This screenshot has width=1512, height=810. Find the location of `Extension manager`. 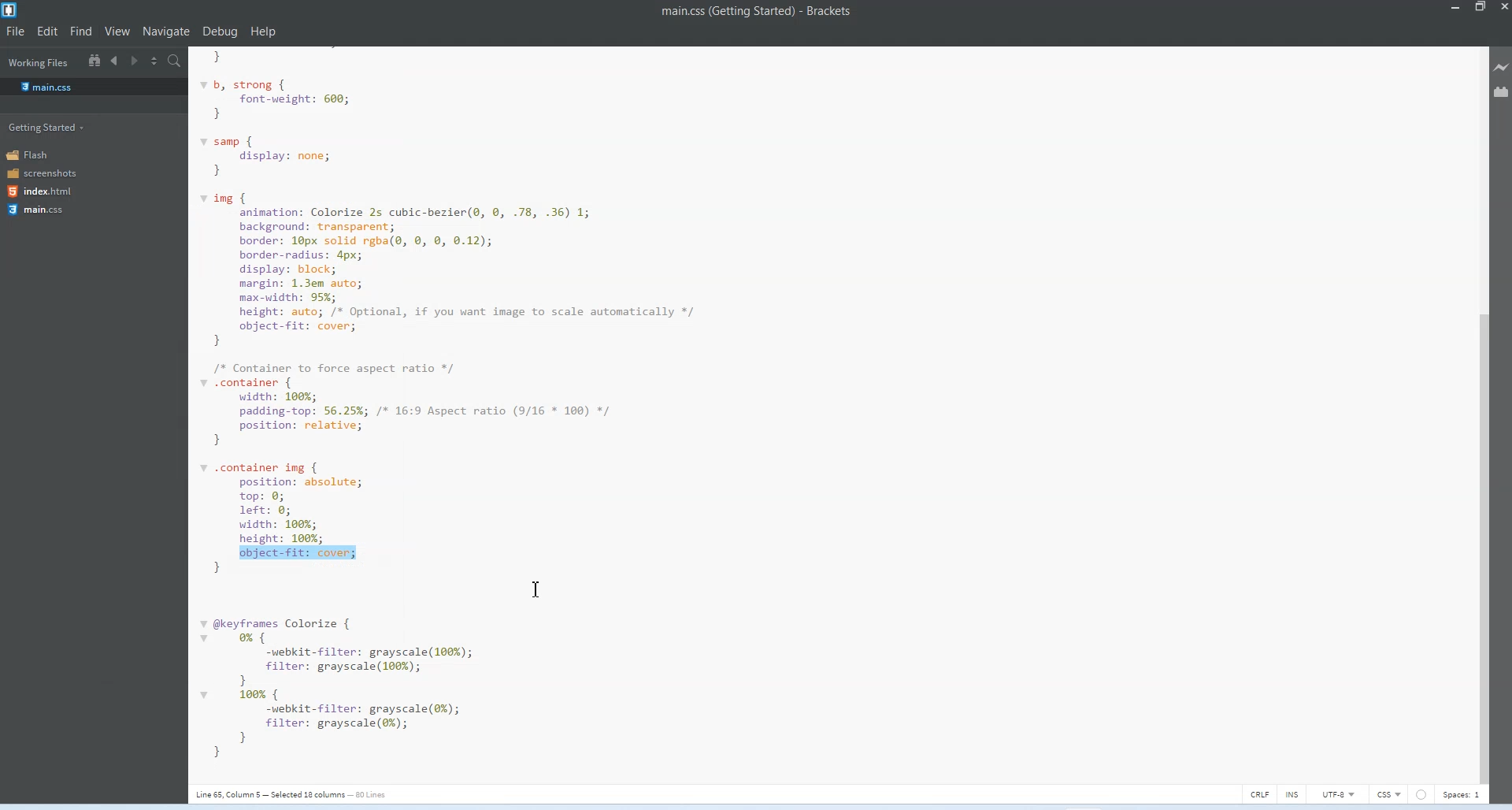

Extension manager is located at coordinates (1503, 92).